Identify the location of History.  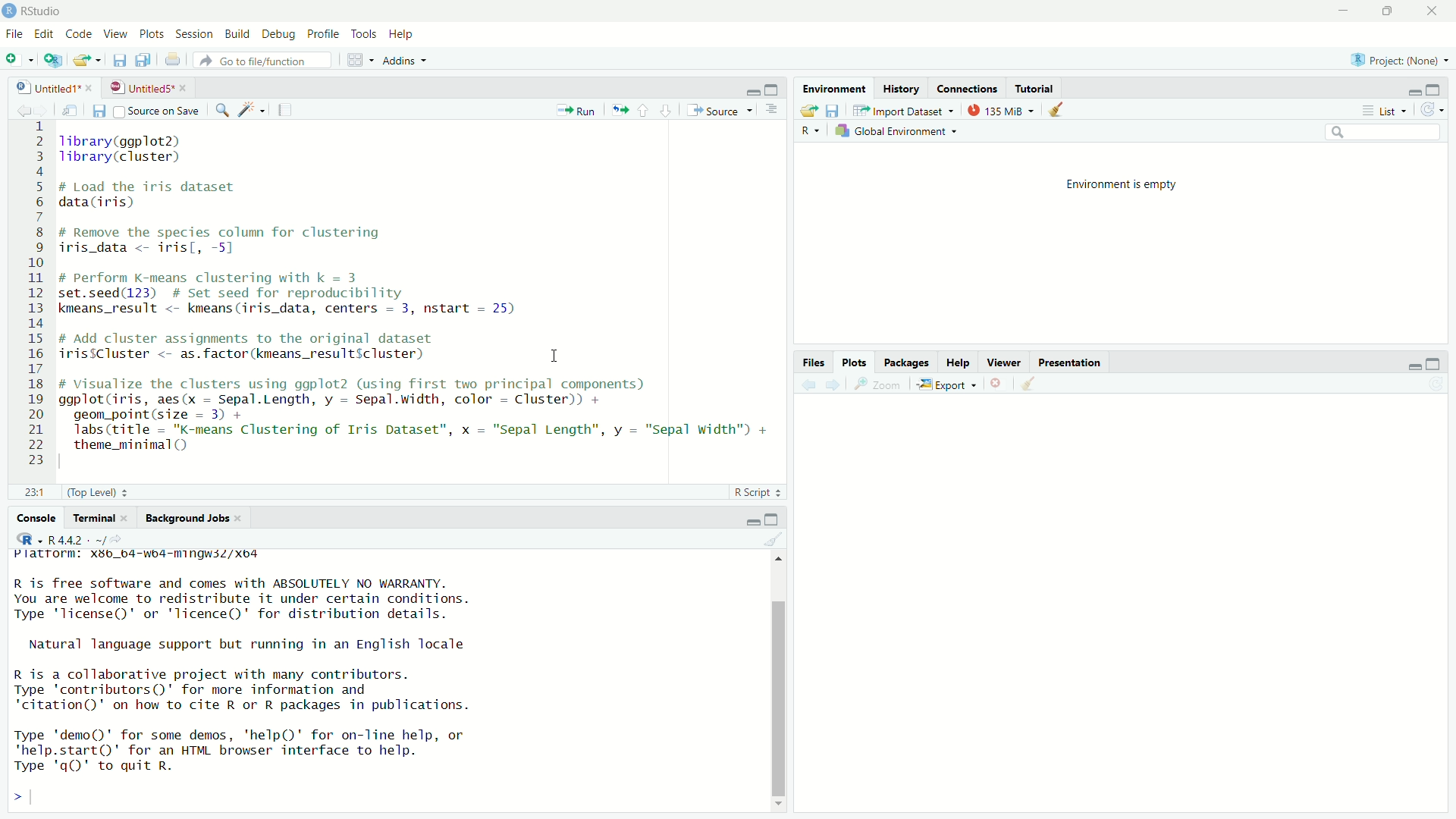
(902, 89).